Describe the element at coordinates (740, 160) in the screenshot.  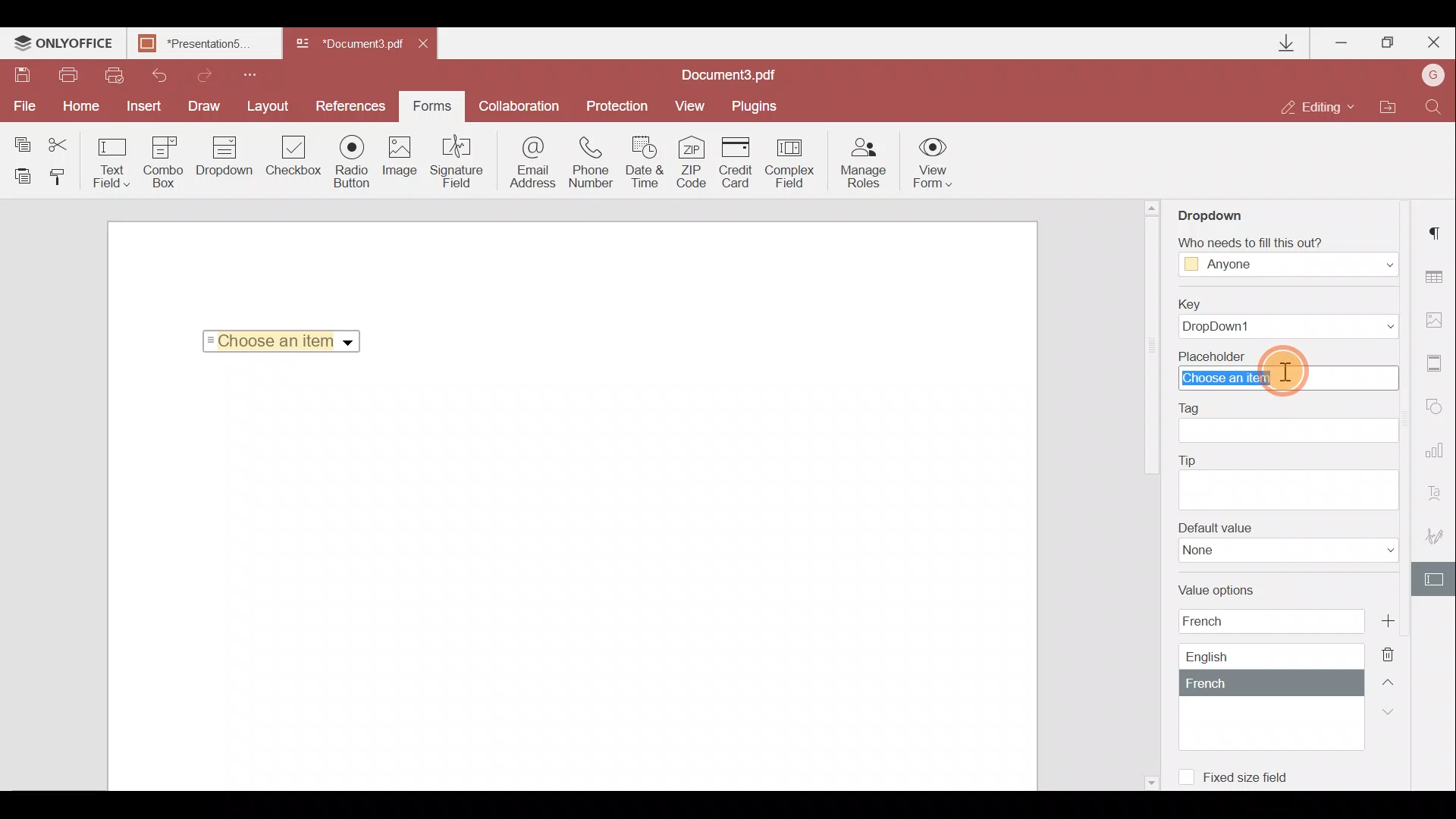
I see `Credit card` at that location.